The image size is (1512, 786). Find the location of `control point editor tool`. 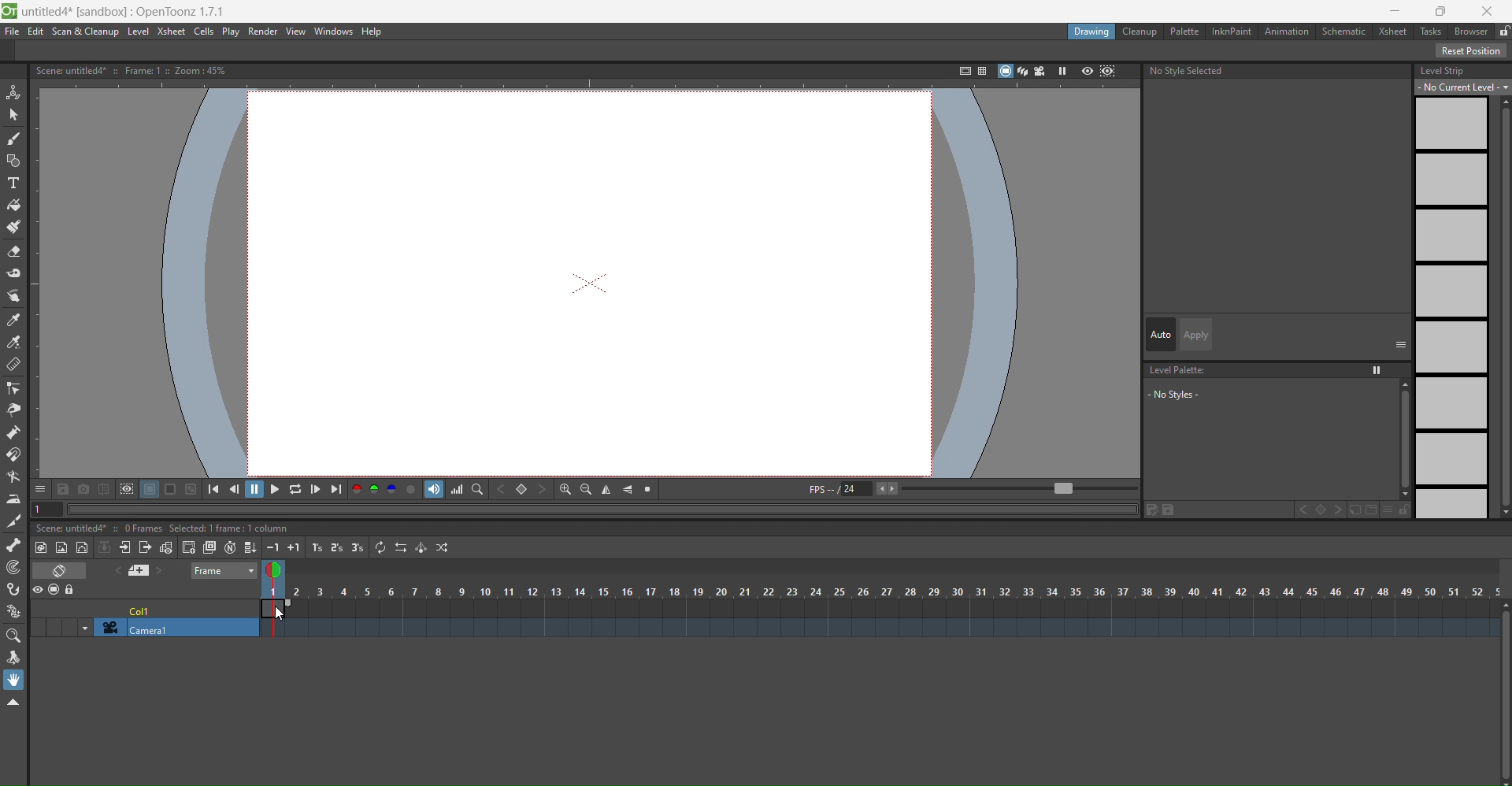

control point editor tool is located at coordinates (13, 388).